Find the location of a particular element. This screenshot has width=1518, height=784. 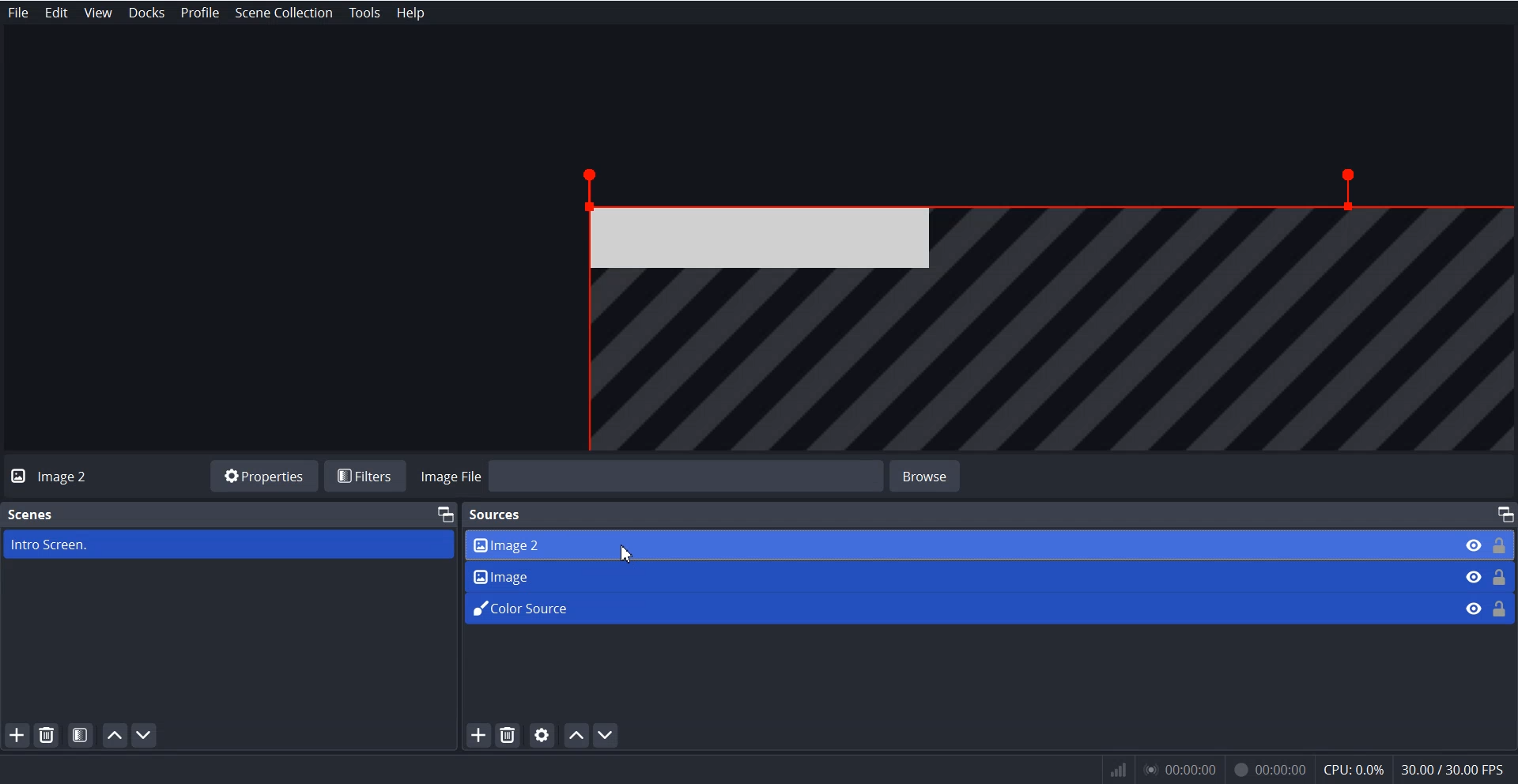

Remove Selected Scene is located at coordinates (48, 735).